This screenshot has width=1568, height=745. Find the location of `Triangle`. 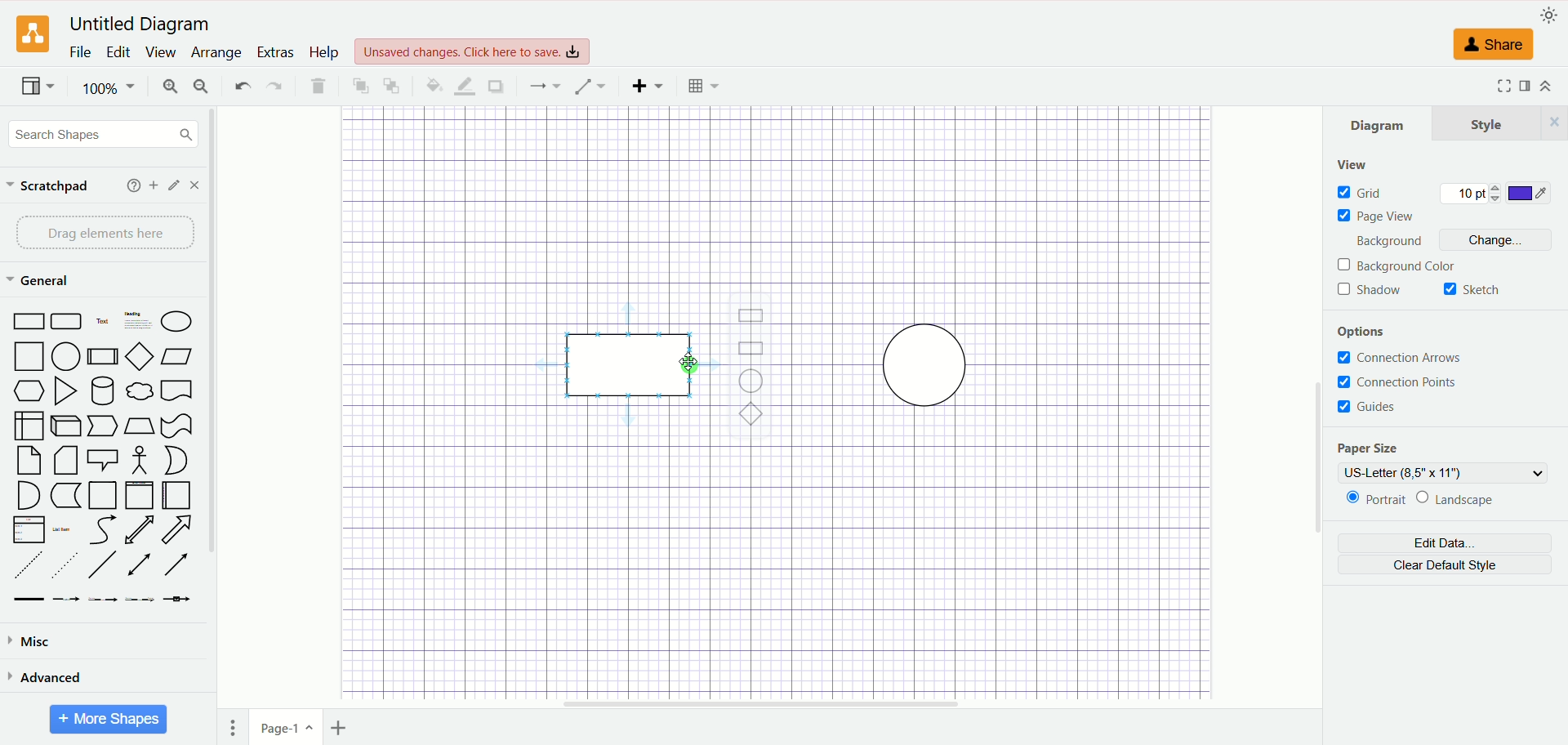

Triangle is located at coordinates (68, 391).